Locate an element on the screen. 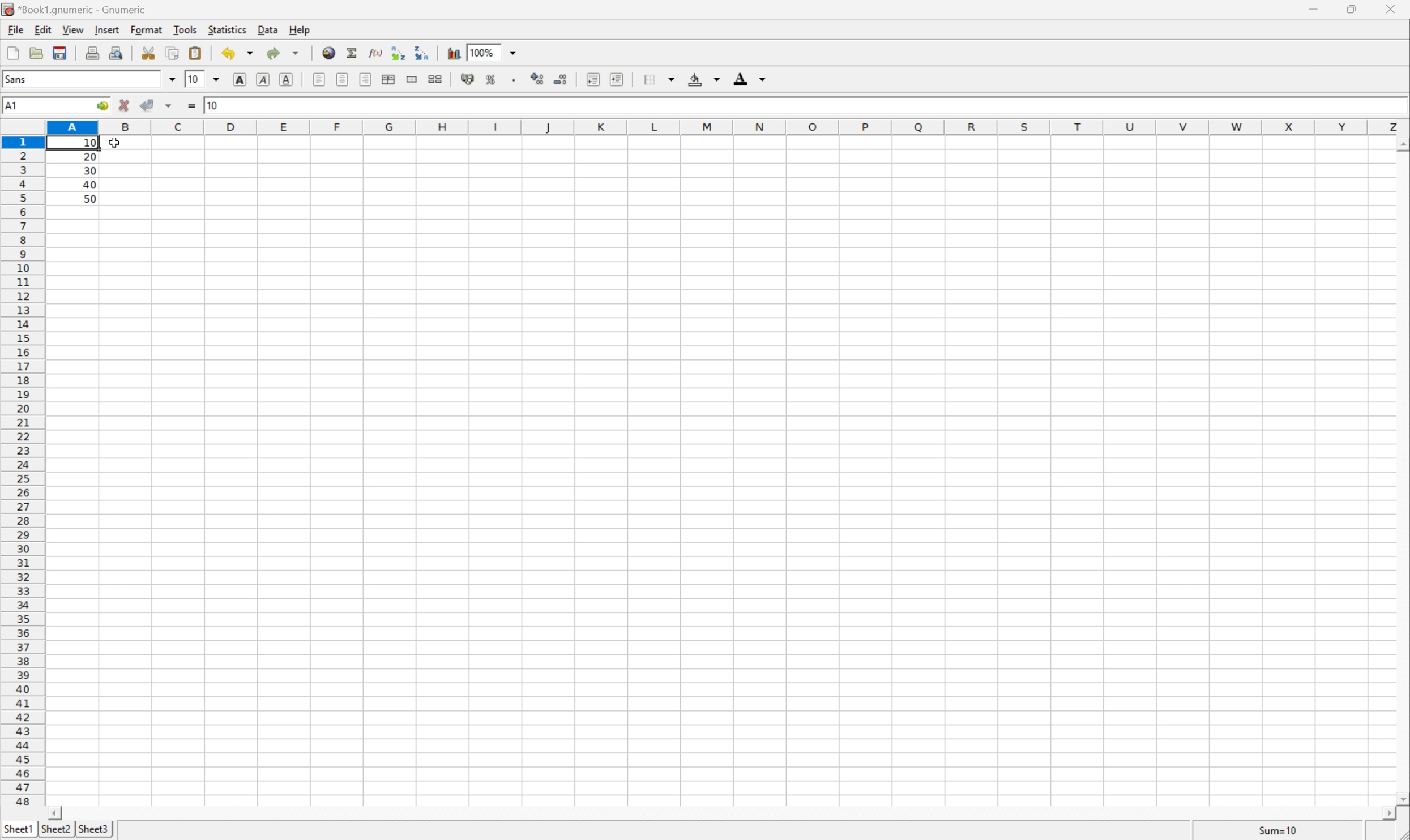  10 is located at coordinates (93, 144).